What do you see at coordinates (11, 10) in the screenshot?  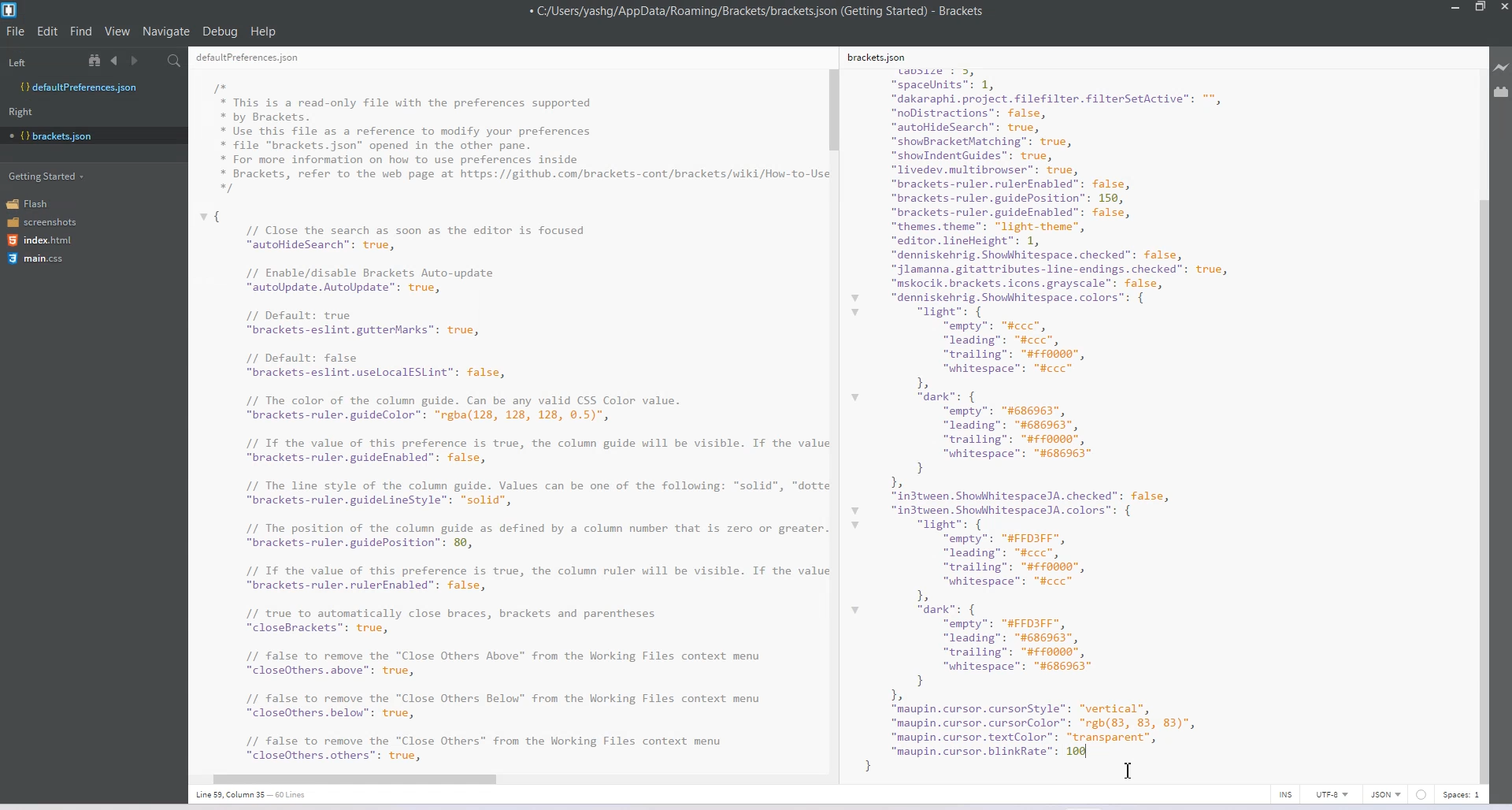 I see `Logo` at bounding box center [11, 10].